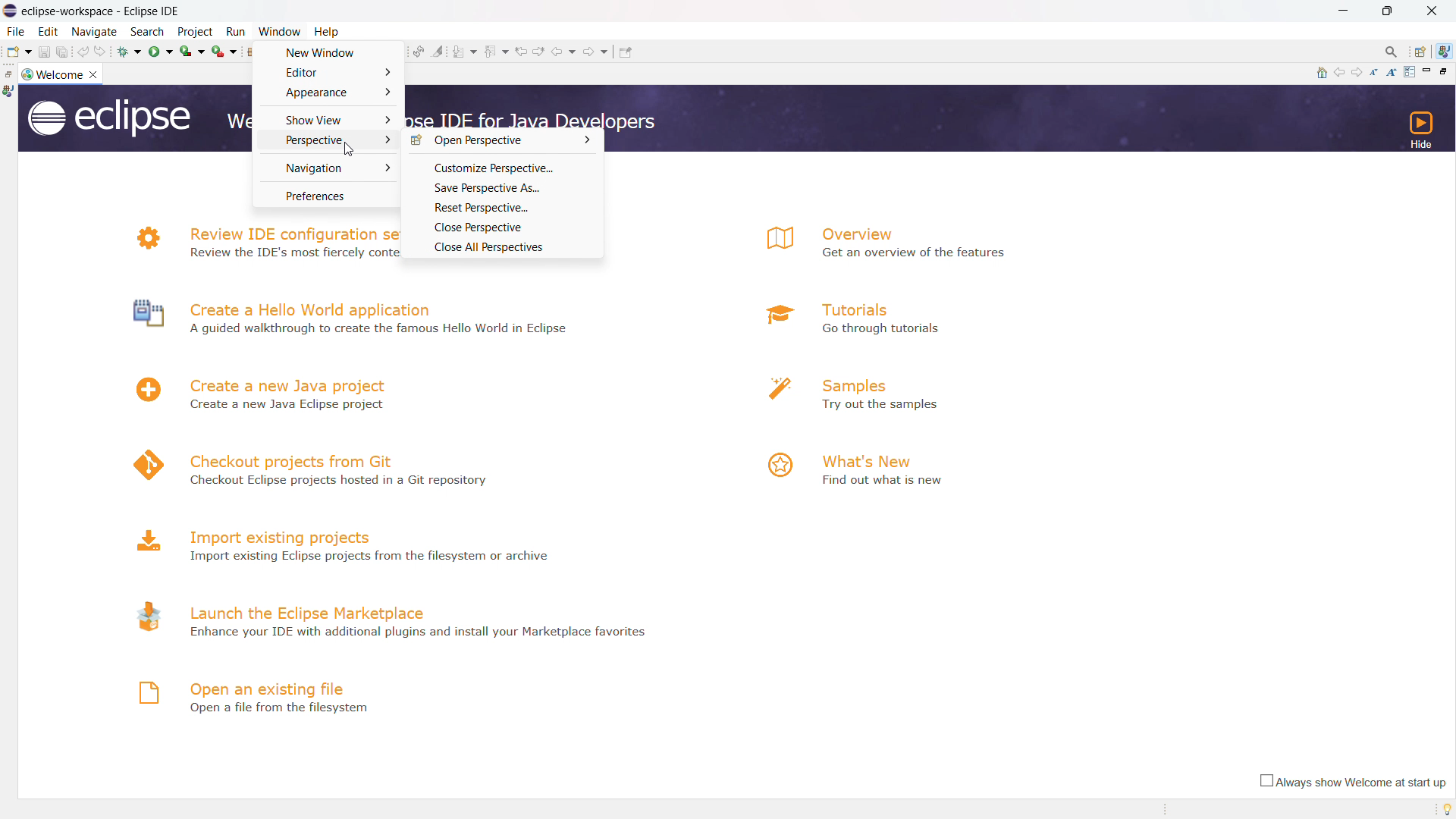 The height and width of the screenshot is (819, 1456). I want to click on java, so click(9, 92).